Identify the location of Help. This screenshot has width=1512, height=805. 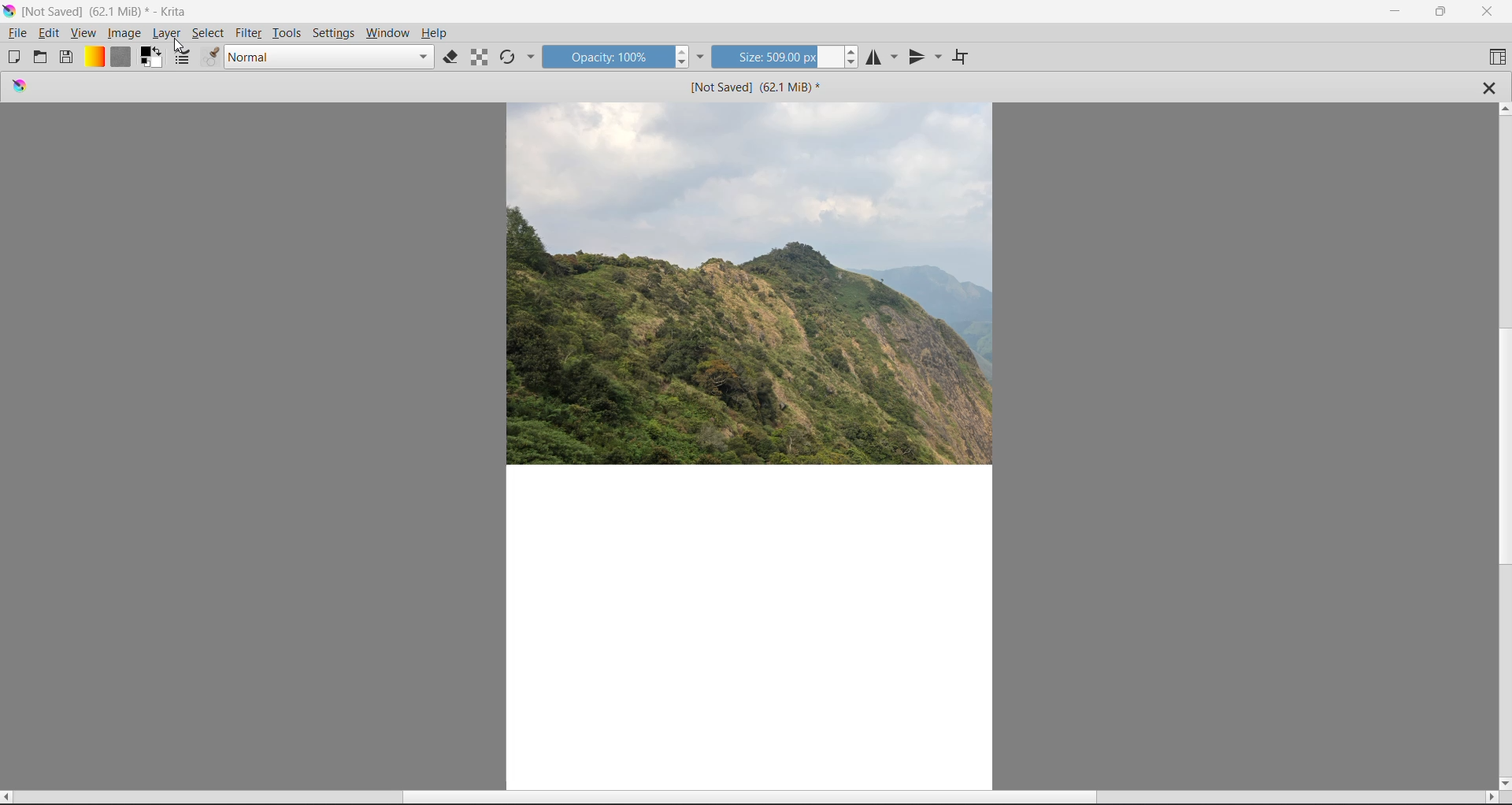
(434, 33).